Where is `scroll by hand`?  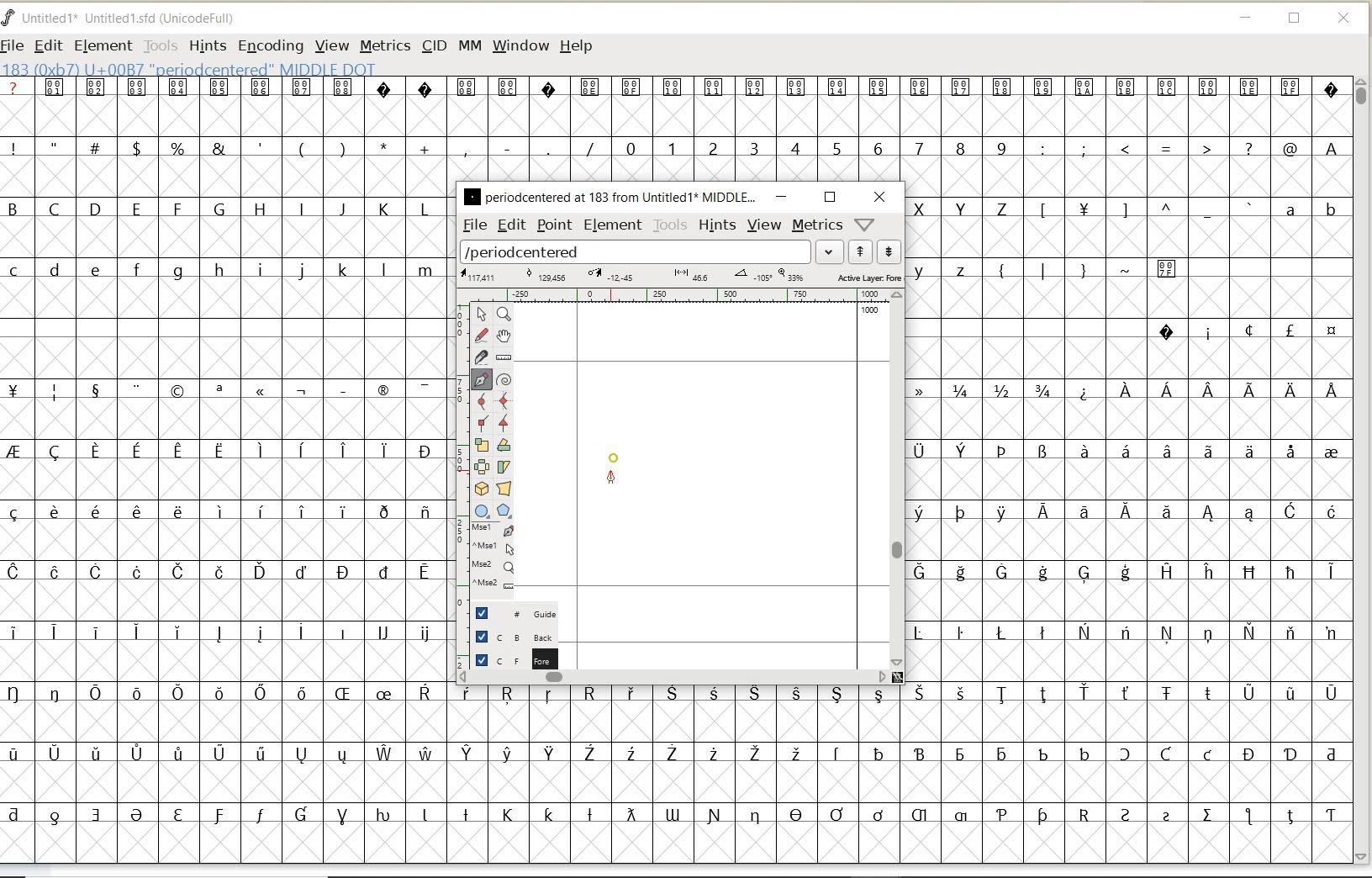
scroll by hand is located at coordinates (503, 336).